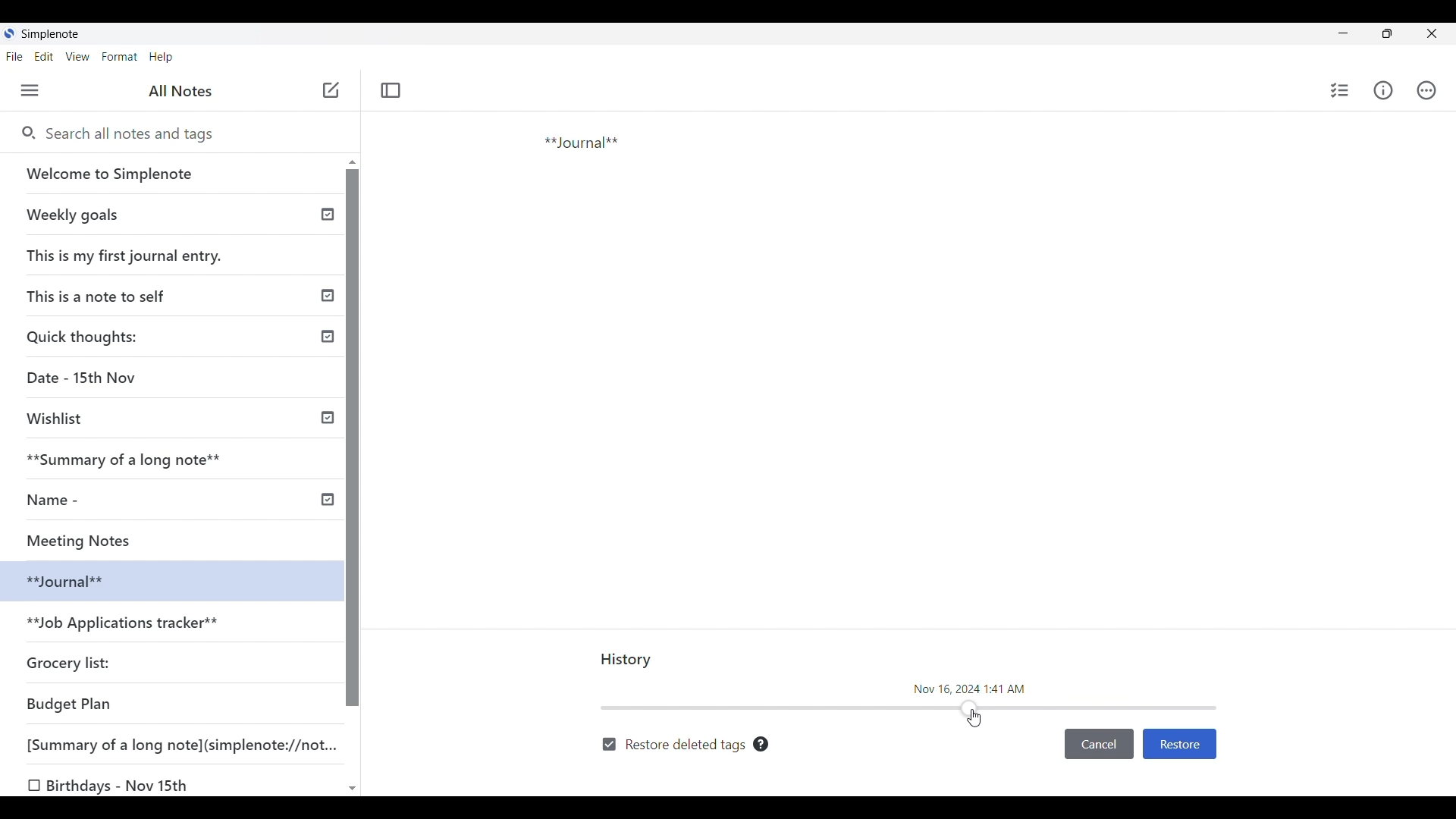 The width and height of the screenshot is (1456, 819). I want to click on weekly goals, so click(170, 214).